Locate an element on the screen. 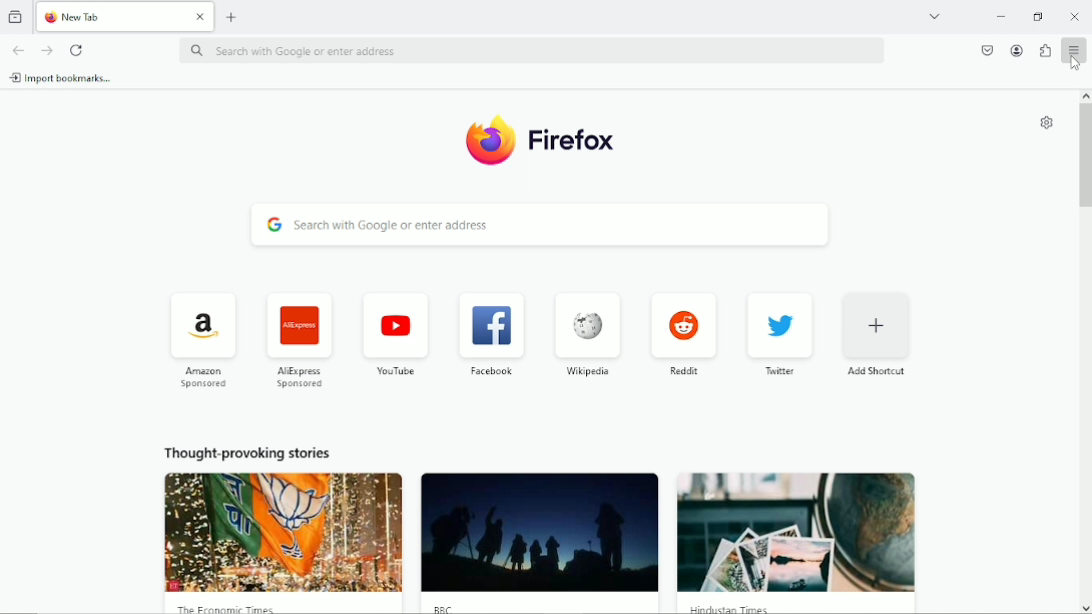  Vertical scrollbar is located at coordinates (1084, 157).